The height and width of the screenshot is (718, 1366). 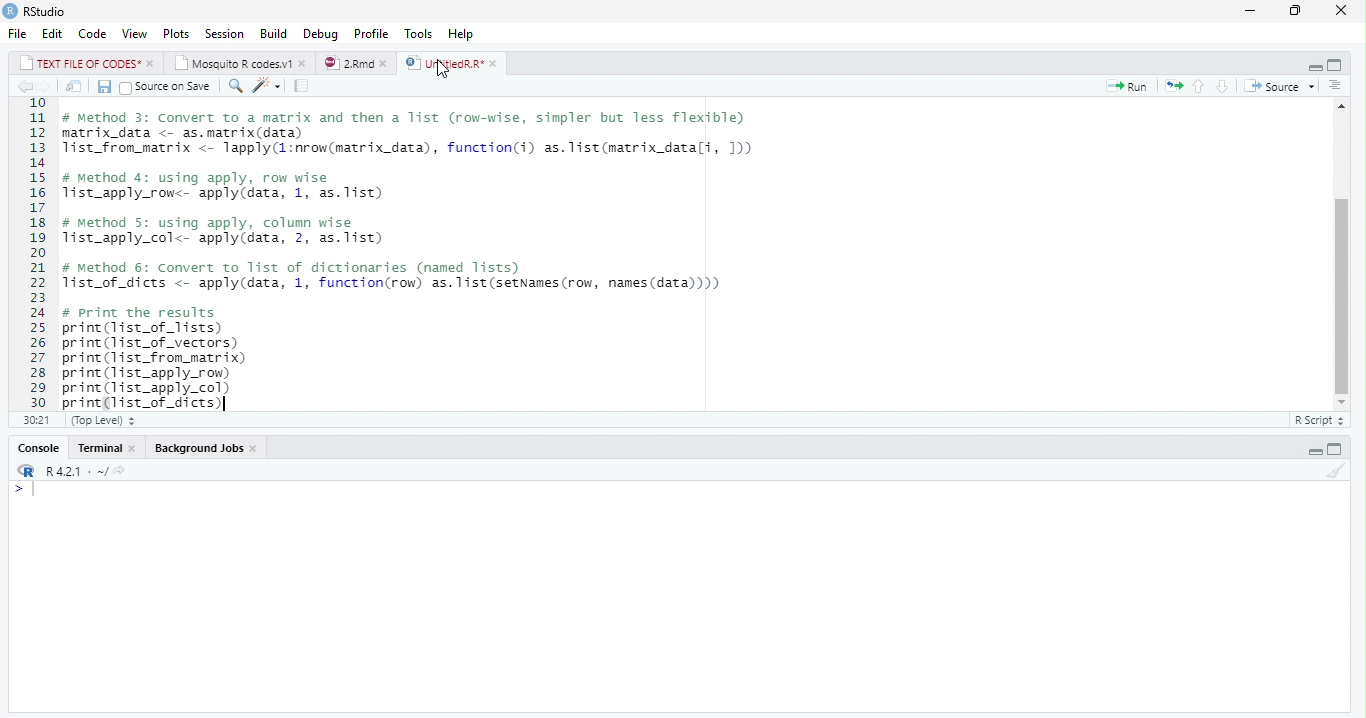 What do you see at coordinates (206, 448) in the screenshot?
I see `Background Jobs` at bounding box center [206, 448].